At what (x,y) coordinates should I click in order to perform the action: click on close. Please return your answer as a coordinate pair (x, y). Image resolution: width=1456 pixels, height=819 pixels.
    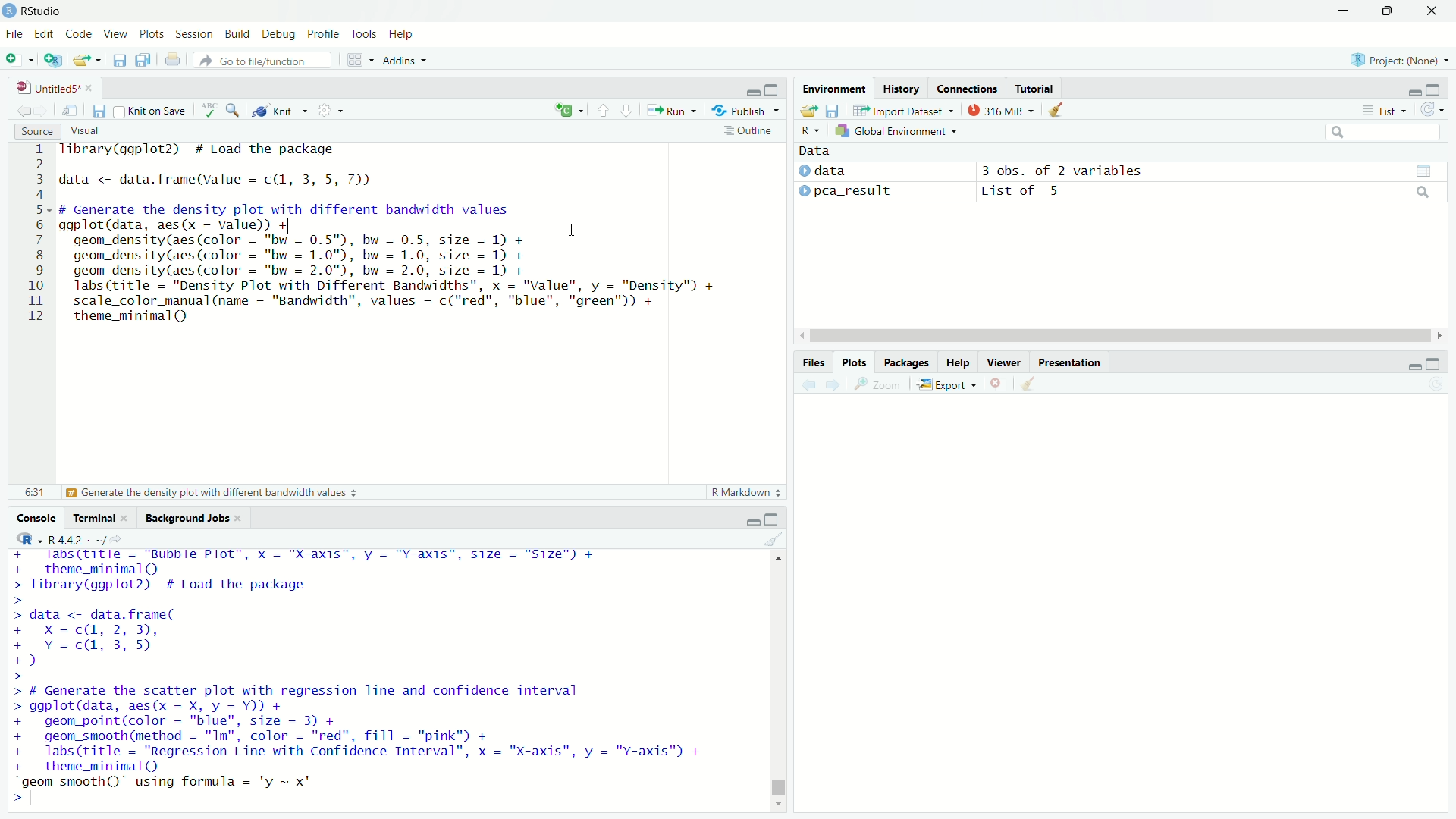
    Looking at the image, I should click on (239, 519).